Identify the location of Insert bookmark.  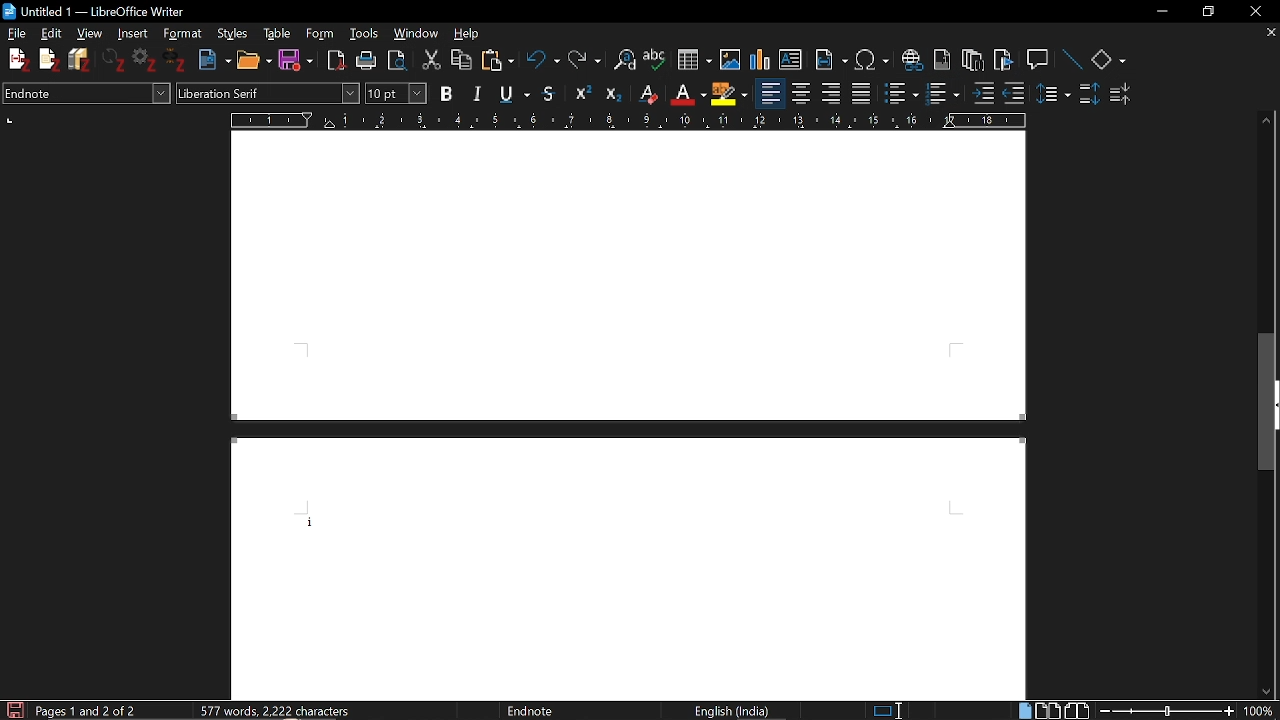
(1005, 64).